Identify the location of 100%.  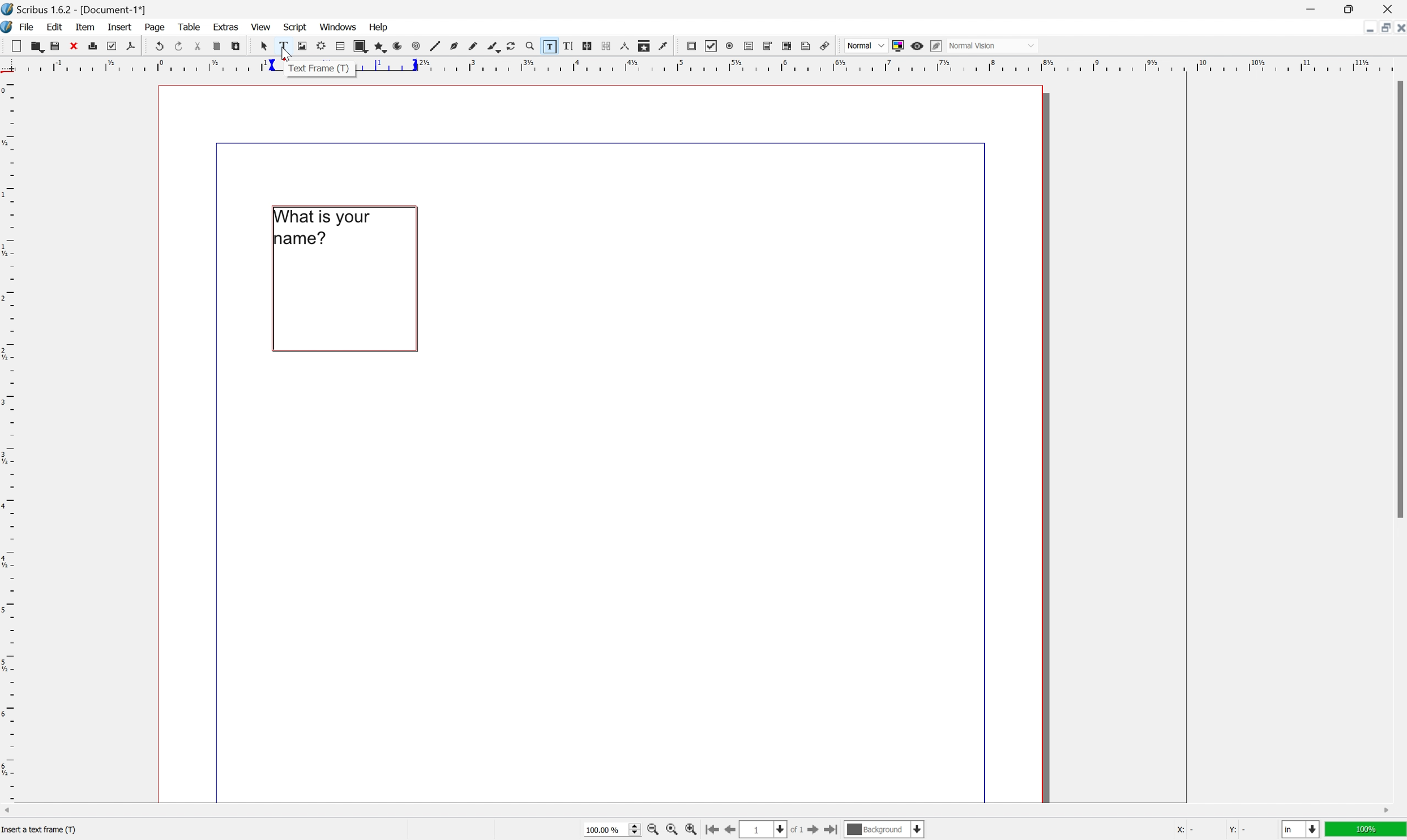
(1367, 832).